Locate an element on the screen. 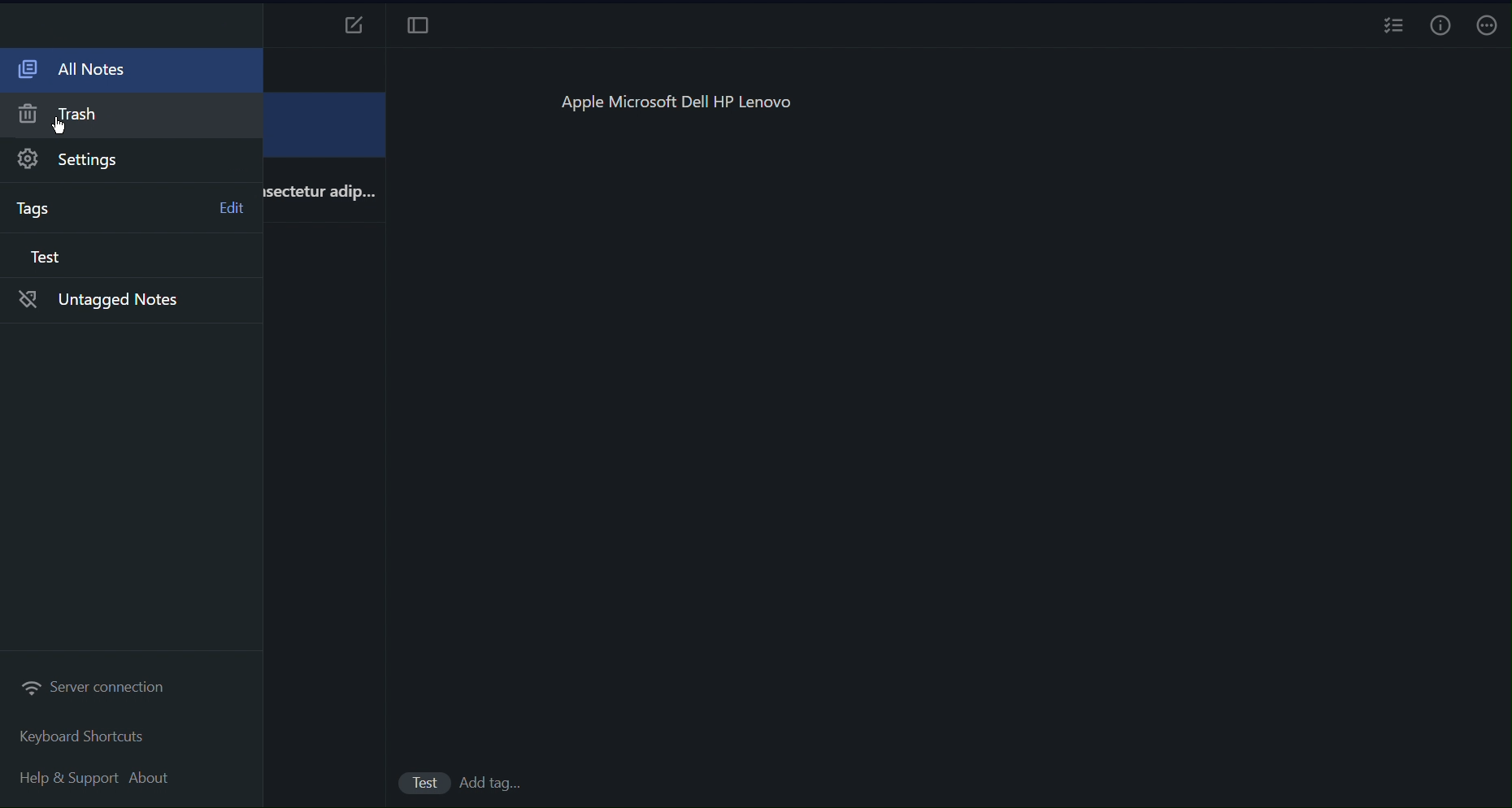 The height and width of the screenshot is (808, 1512). Settings is located at coordinates (76, 160).